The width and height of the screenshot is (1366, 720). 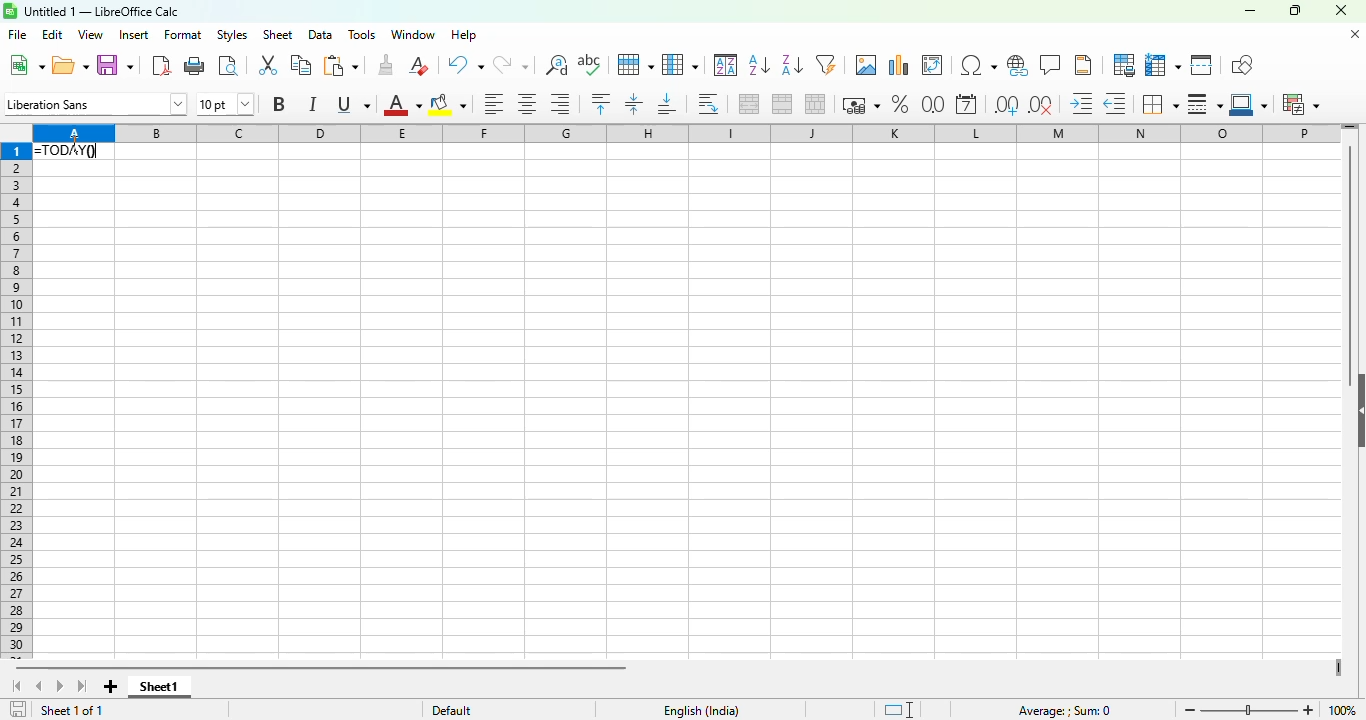 What do you see at coordinates (728, 132) in the screenshot?
I see `columns` at bounding box center [728, 132].